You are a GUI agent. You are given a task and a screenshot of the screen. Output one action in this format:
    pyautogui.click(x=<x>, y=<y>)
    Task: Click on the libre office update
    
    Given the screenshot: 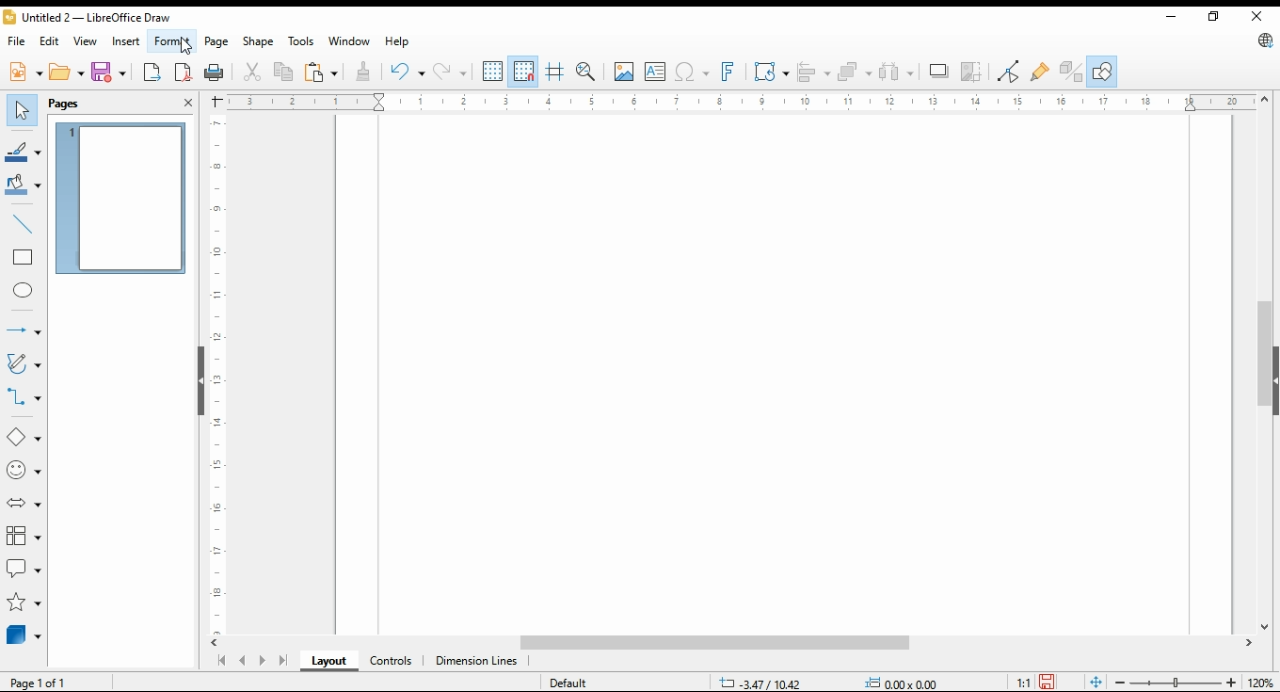 What is the action you would take?
    pyautogui.click(x=1264, y=40)
    